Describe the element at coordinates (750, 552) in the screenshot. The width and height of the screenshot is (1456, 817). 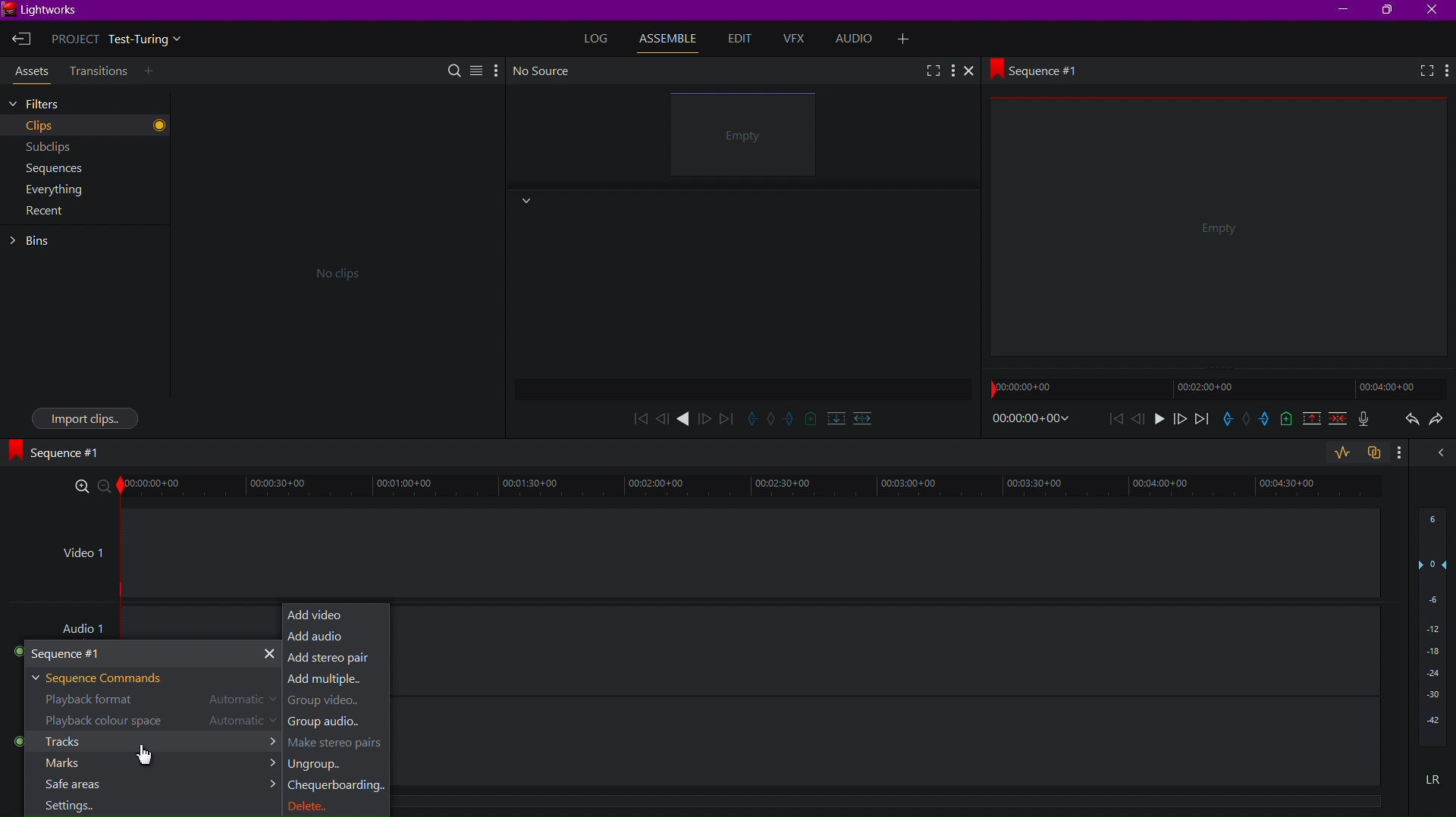
I see `Video Track` at that location.